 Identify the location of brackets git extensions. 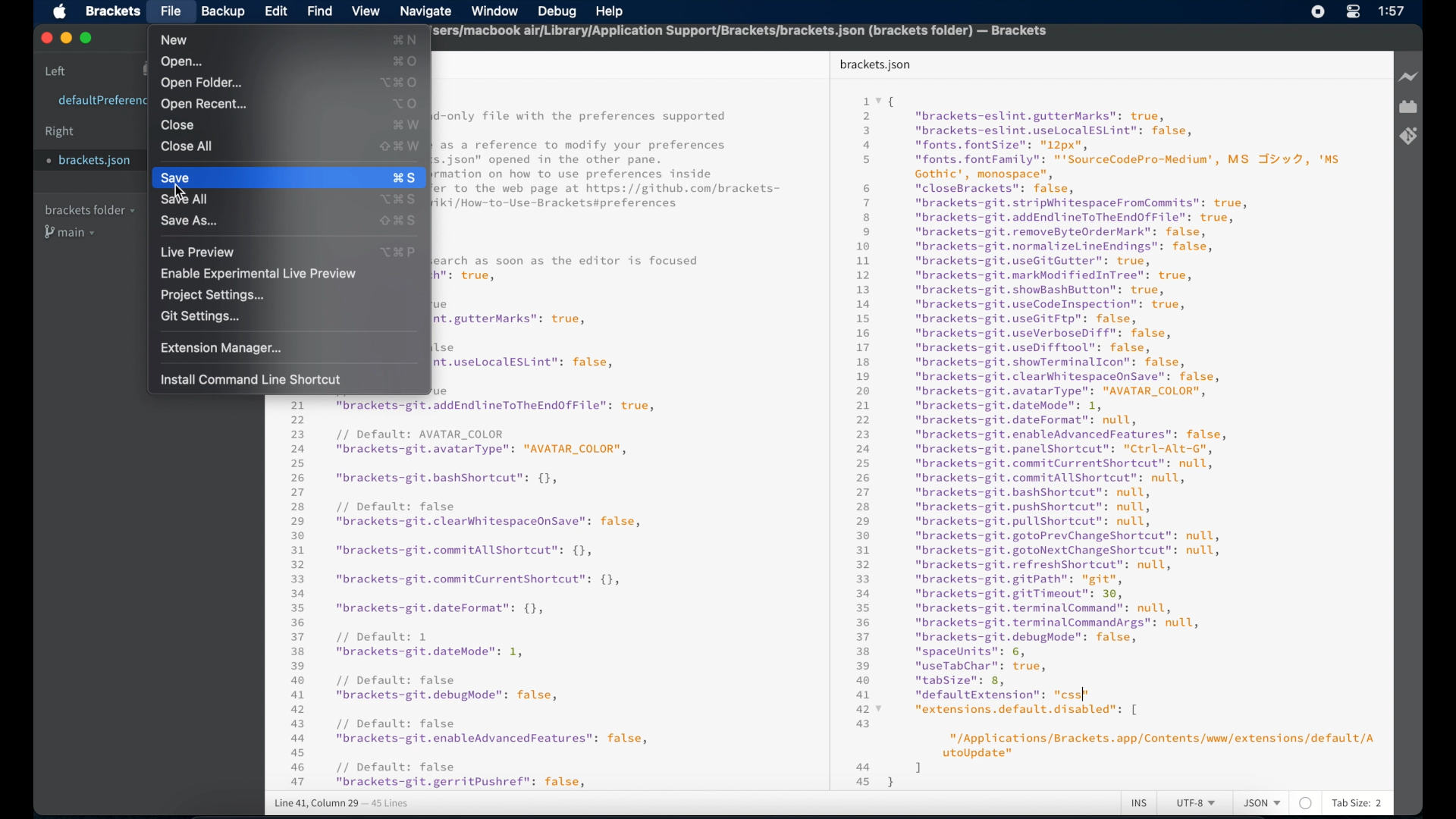
(1408, 136).